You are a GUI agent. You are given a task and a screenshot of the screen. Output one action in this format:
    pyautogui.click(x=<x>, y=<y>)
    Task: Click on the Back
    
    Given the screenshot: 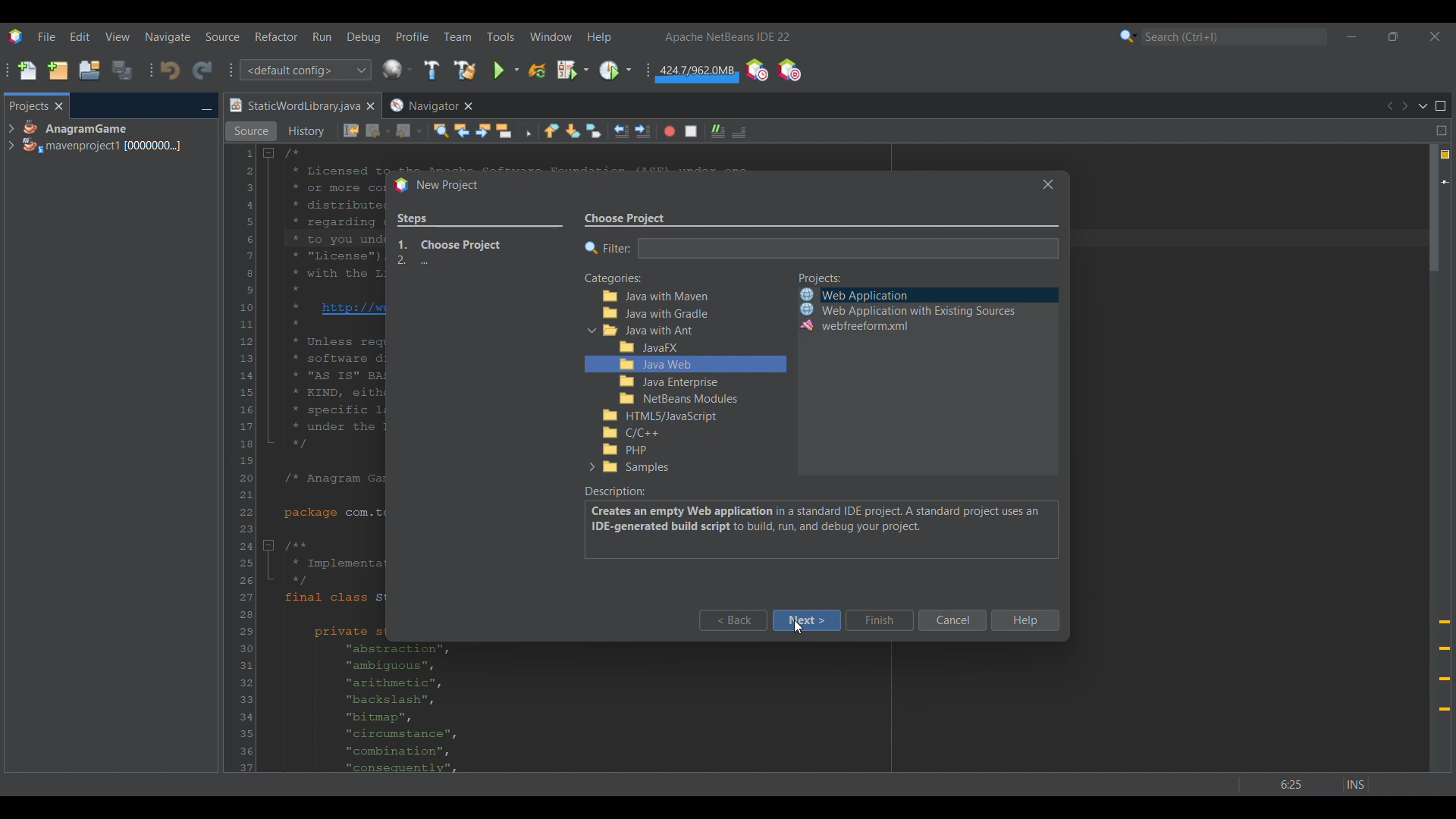 What is the action you would take?
    pyautogui.click(x=733, y=620)
    